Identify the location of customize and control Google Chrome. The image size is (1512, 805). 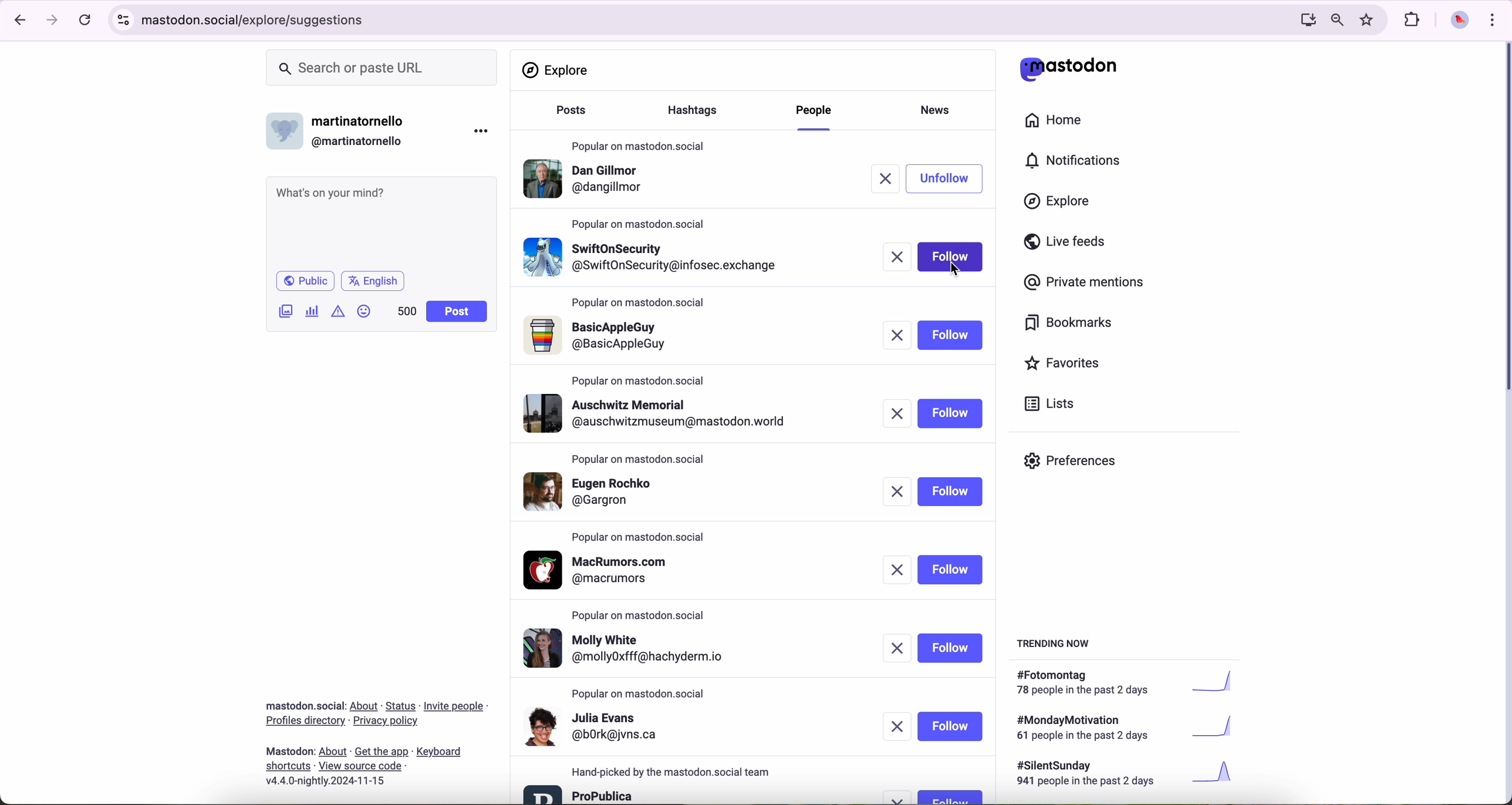
(1491, 19).